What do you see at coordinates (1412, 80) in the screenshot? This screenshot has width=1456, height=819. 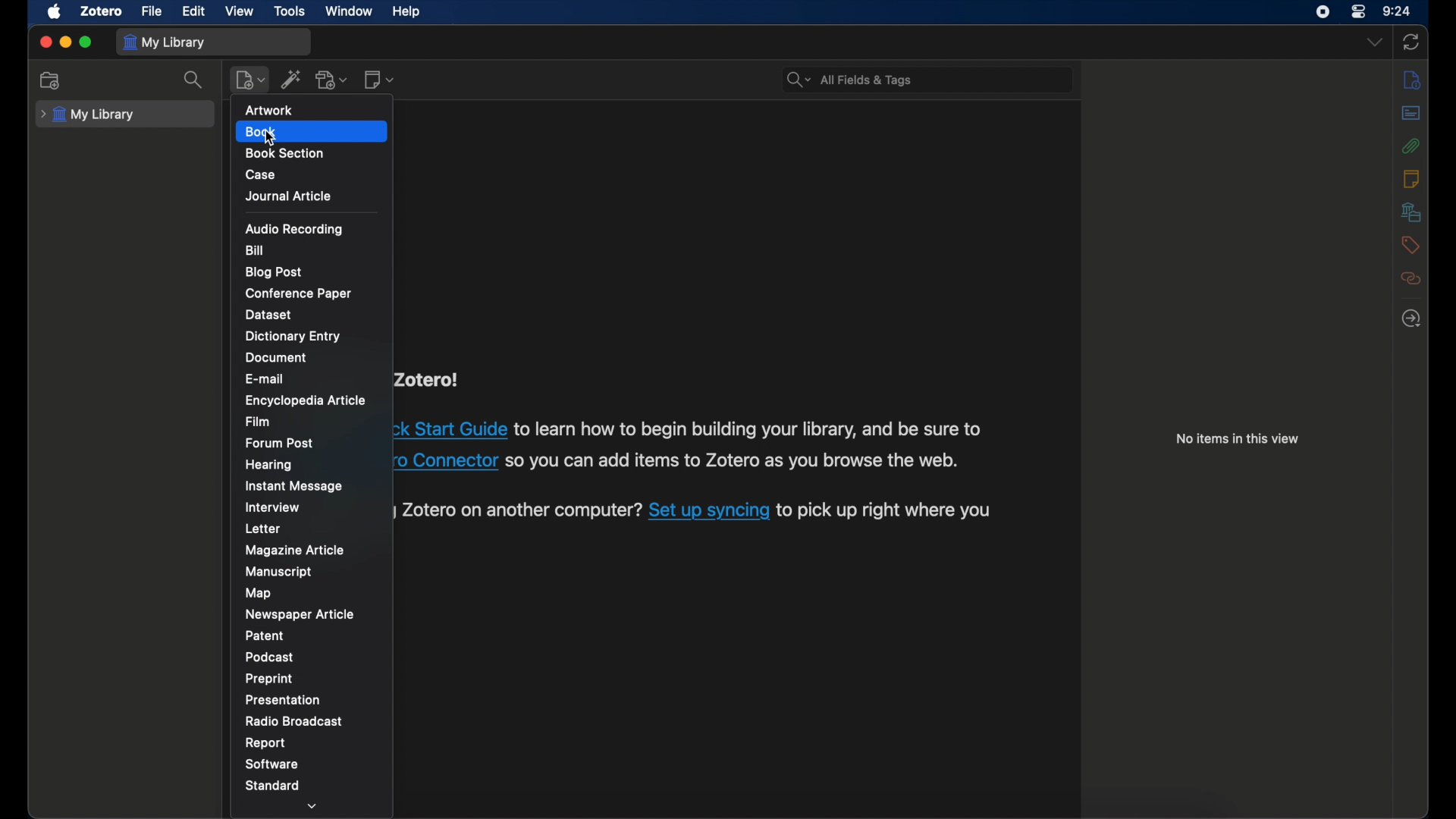 I see `info` at bounding box center [1412, 80].